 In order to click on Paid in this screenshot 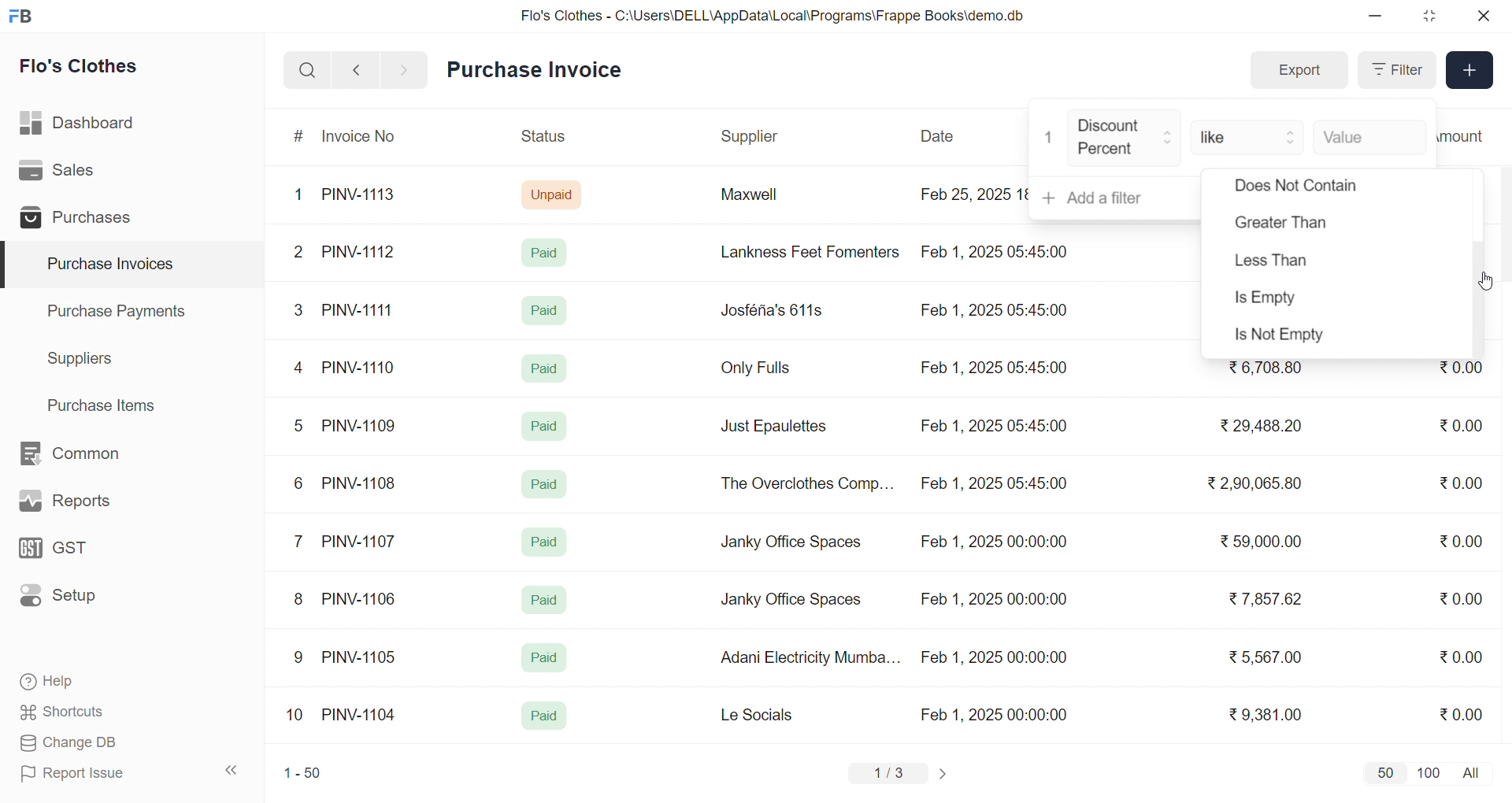, I will do `click(544, 716)`.